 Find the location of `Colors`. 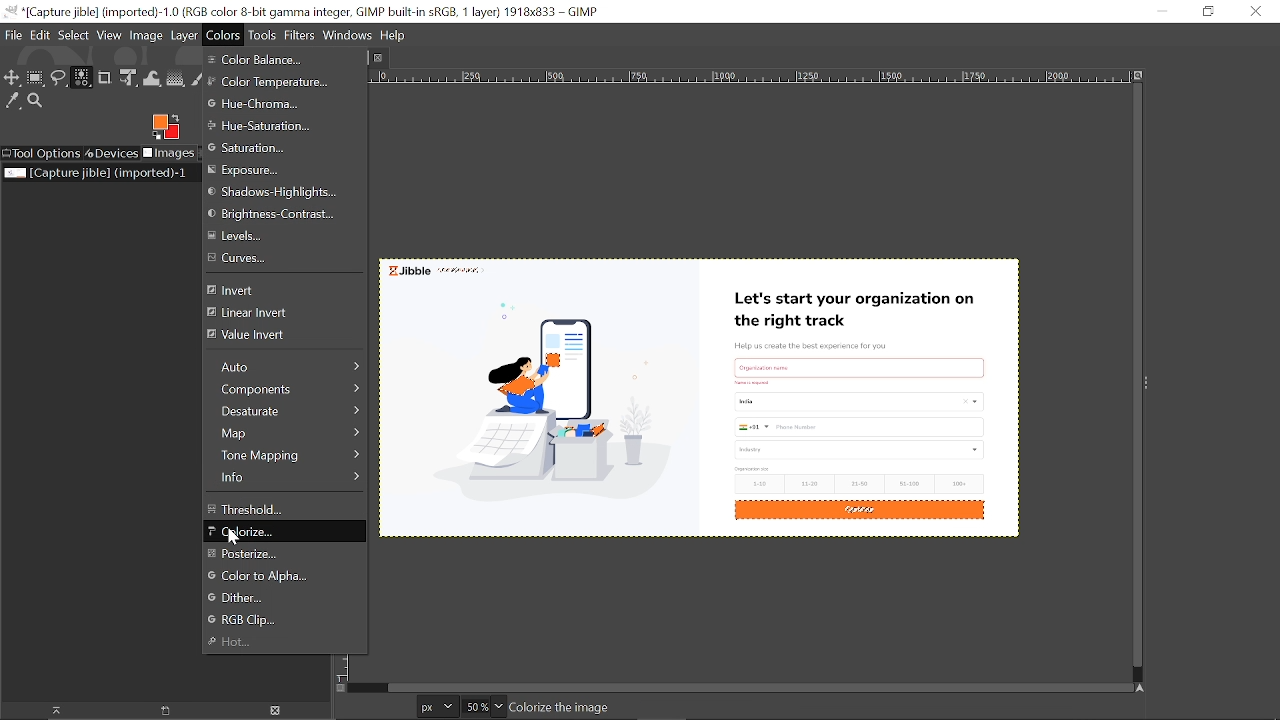

Colors is located at coordinates (224, 34).